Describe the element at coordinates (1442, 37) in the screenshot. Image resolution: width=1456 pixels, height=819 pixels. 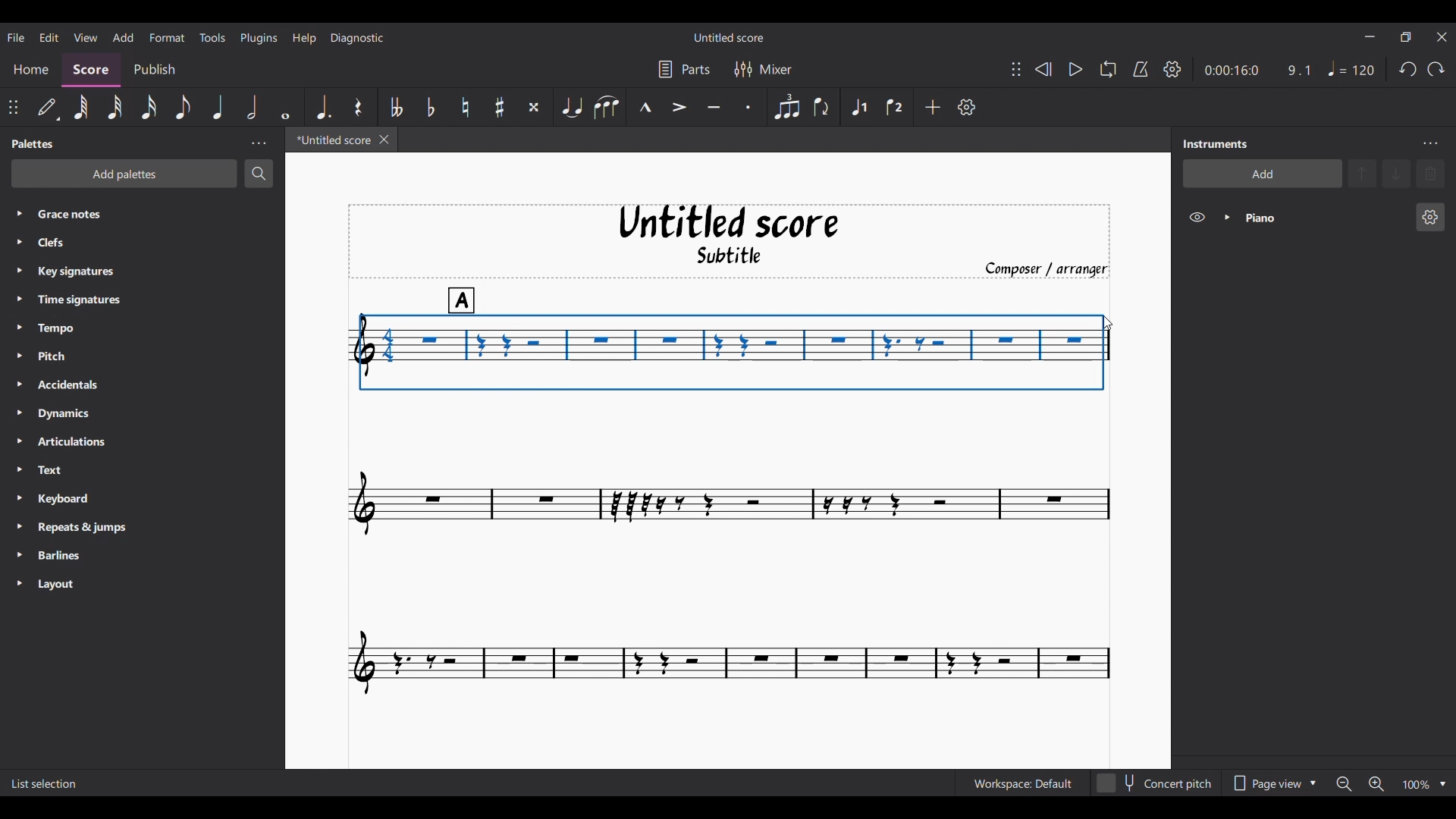
I see `Close interface` at that location.